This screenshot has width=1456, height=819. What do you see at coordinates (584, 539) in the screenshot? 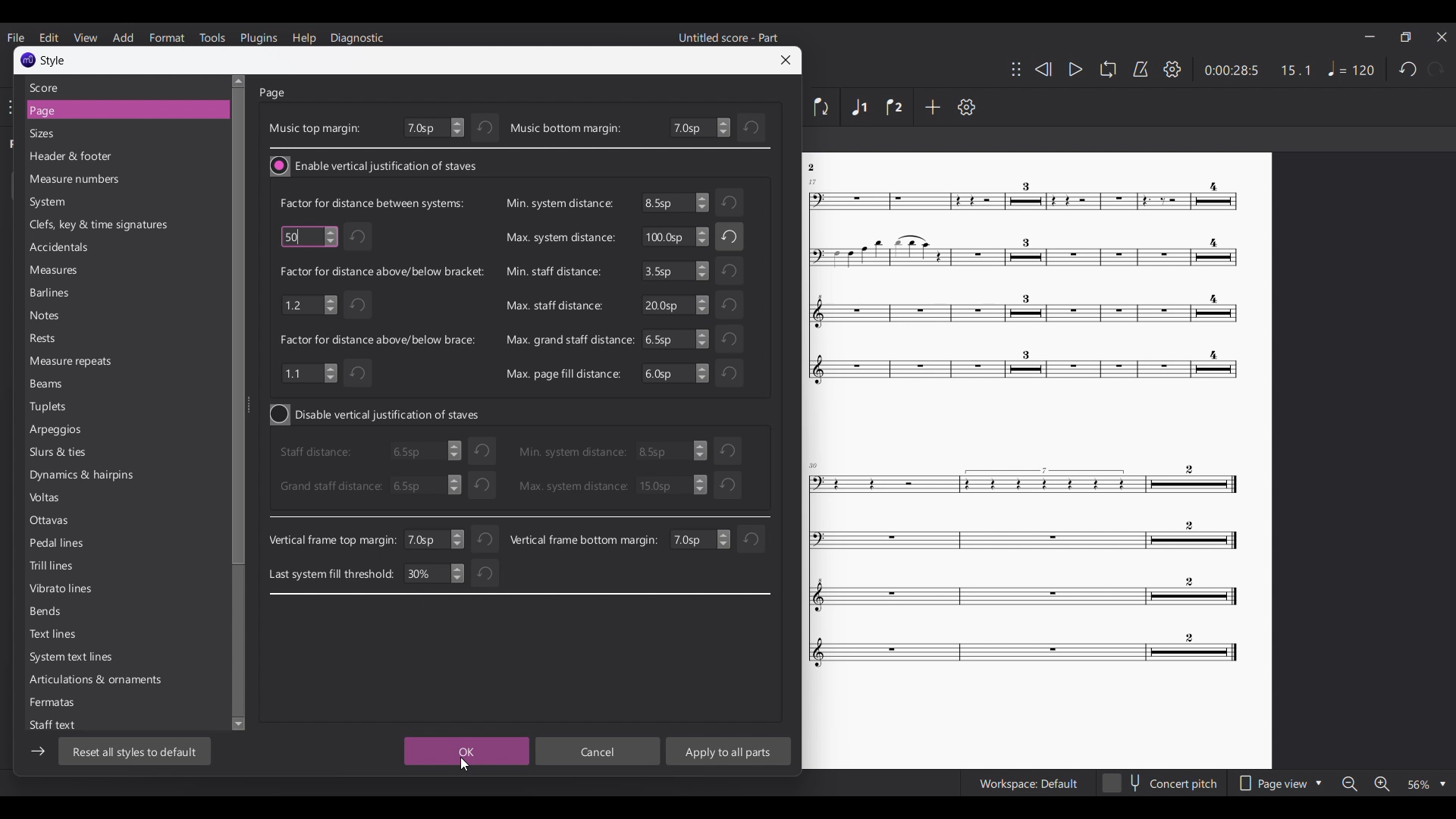
I see `Vertical frame bottom margin` at bounding box center [584, 539].